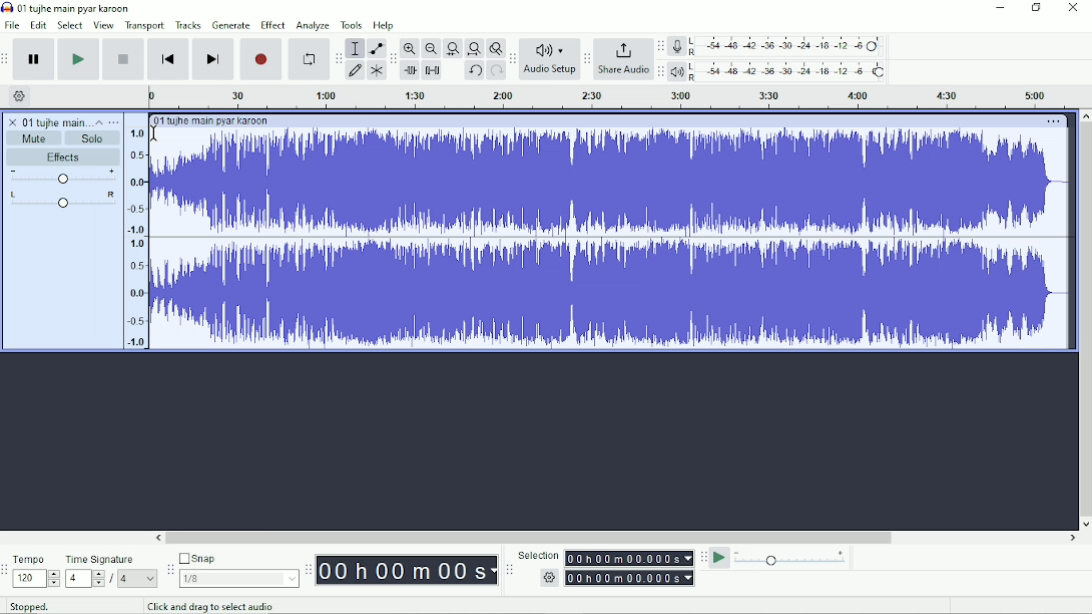 This screenshot has height=614, width=1092. Describe the element at coordinates (154, 132) in the screenshot. I see `cursor` at that location.